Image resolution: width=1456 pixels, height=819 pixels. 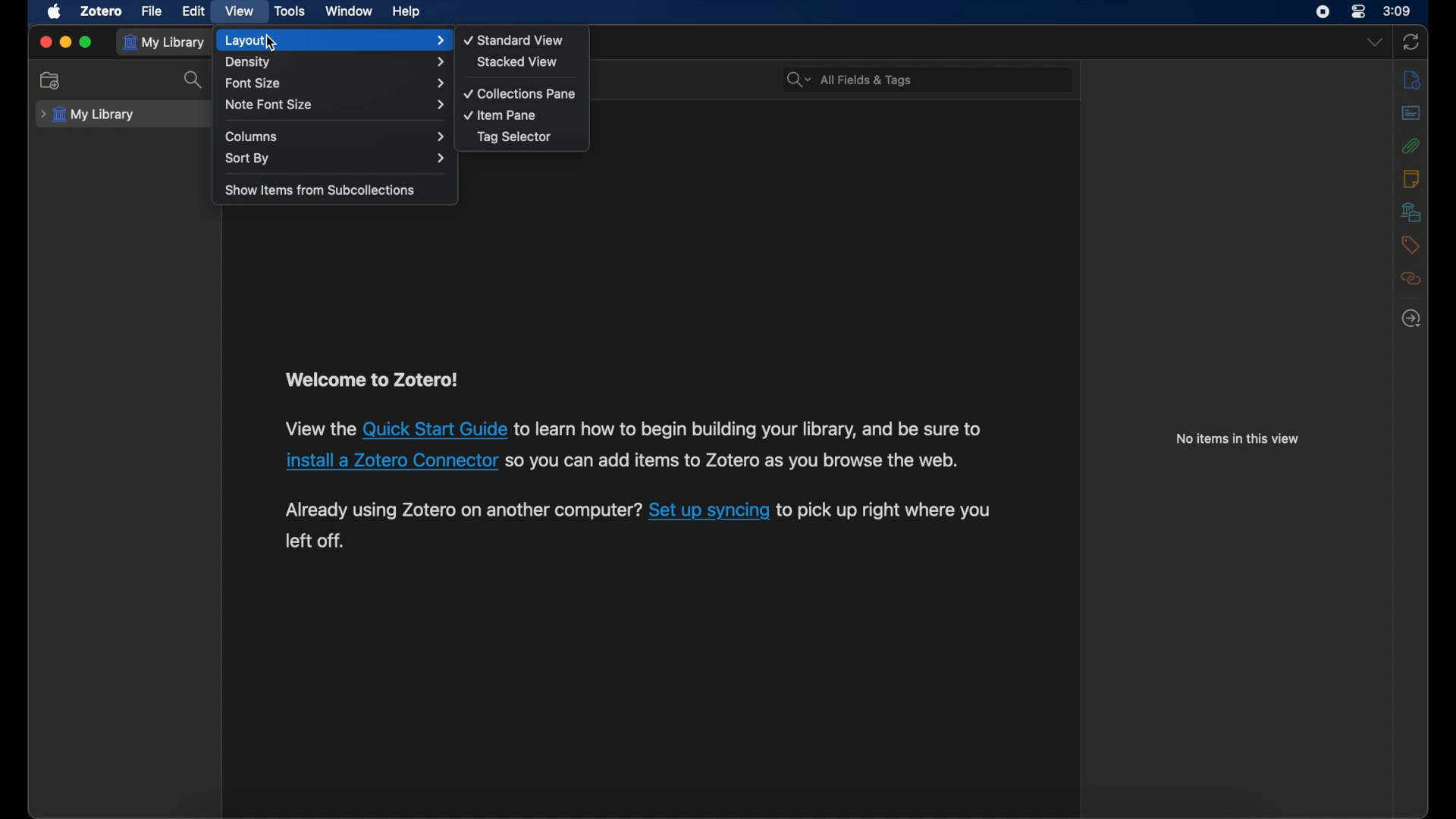 What do you see at coordinates (406, 12) in the screenshot?
I see `help` at bounding box center [406, 12].